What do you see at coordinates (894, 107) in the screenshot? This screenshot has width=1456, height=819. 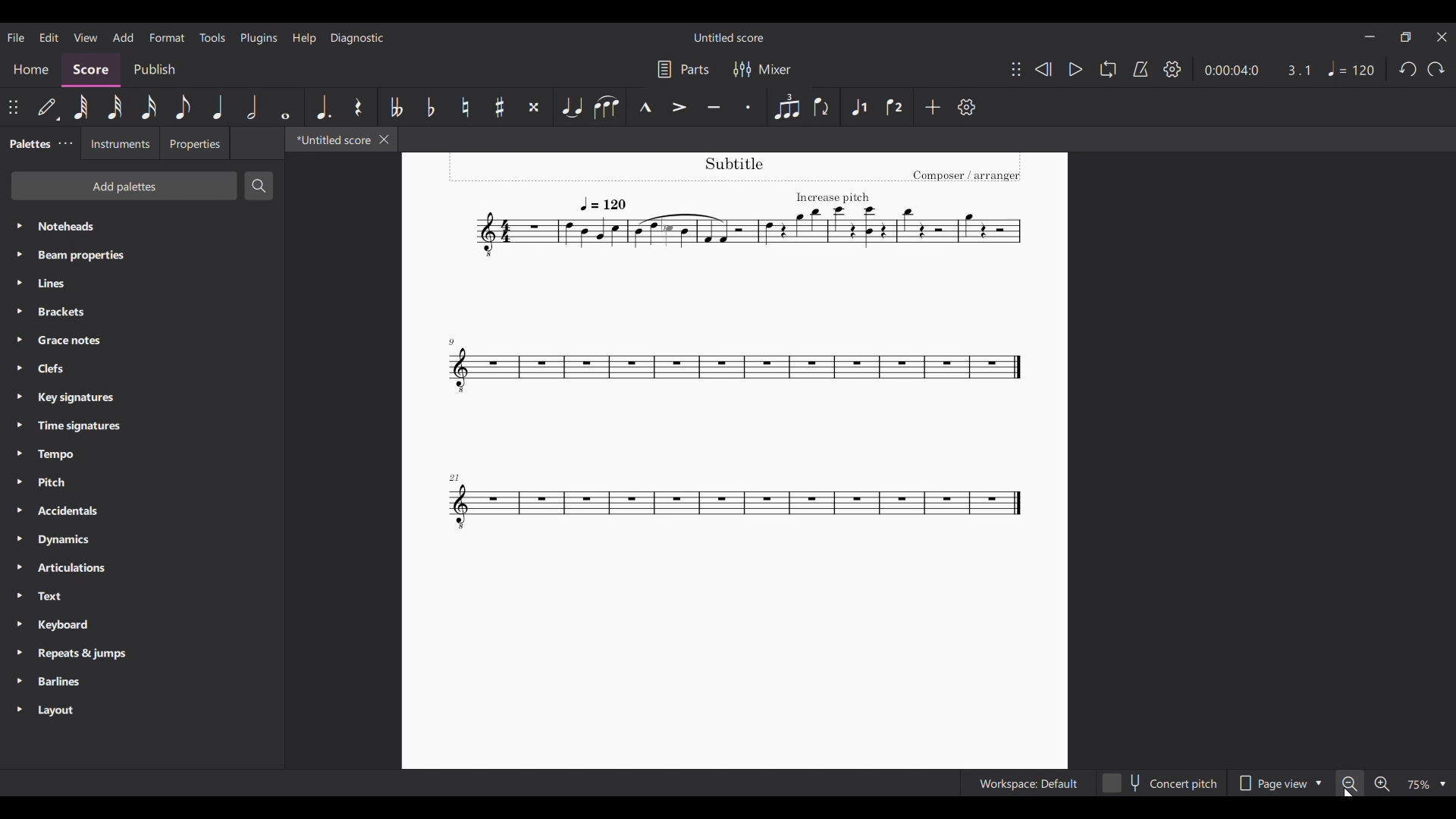 I see `Voice 2` at bounding box center [894, 107].